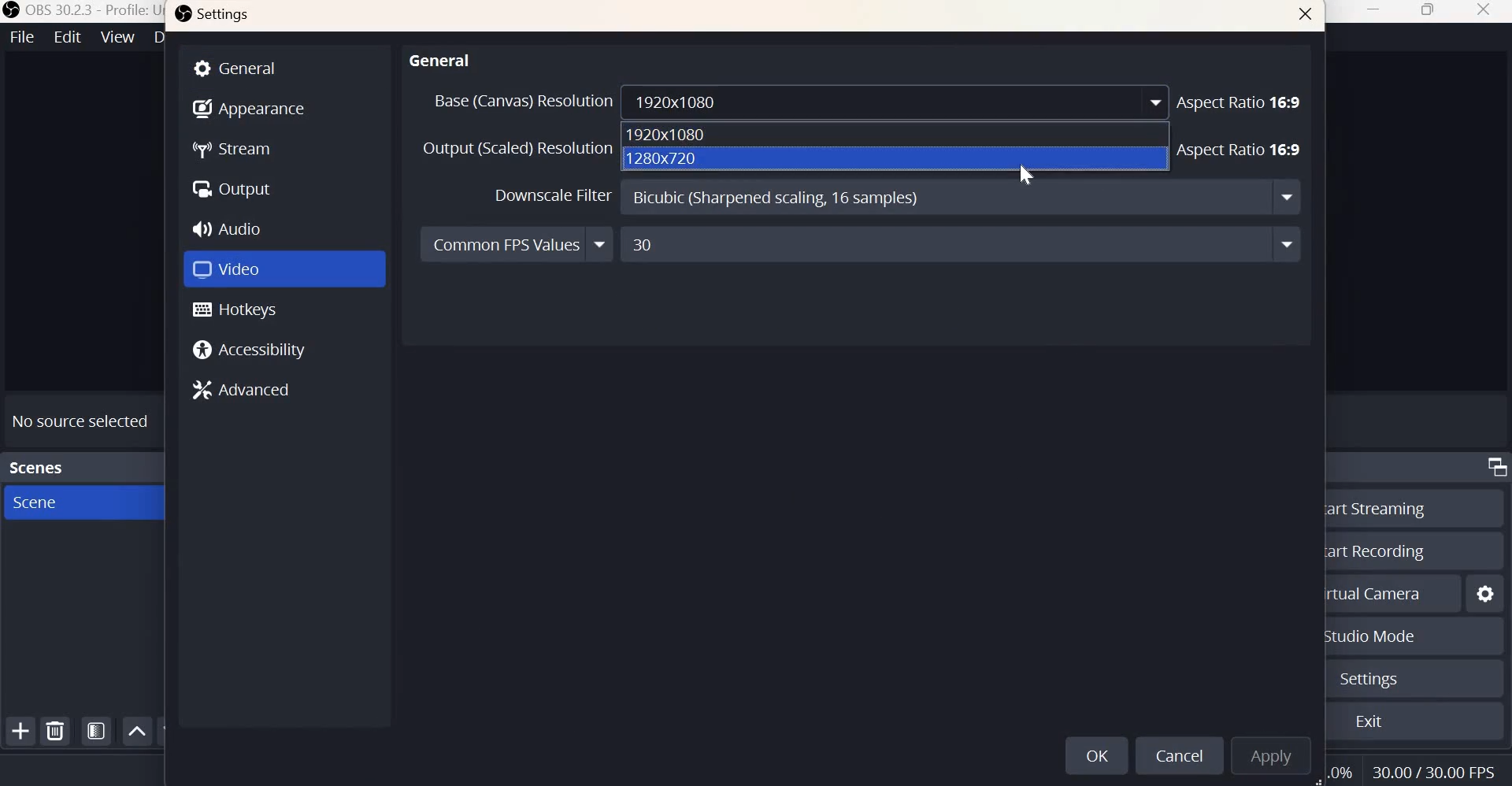 This screenshot has width=1512, height=786. I want to click on Advances, so click(249, 391).